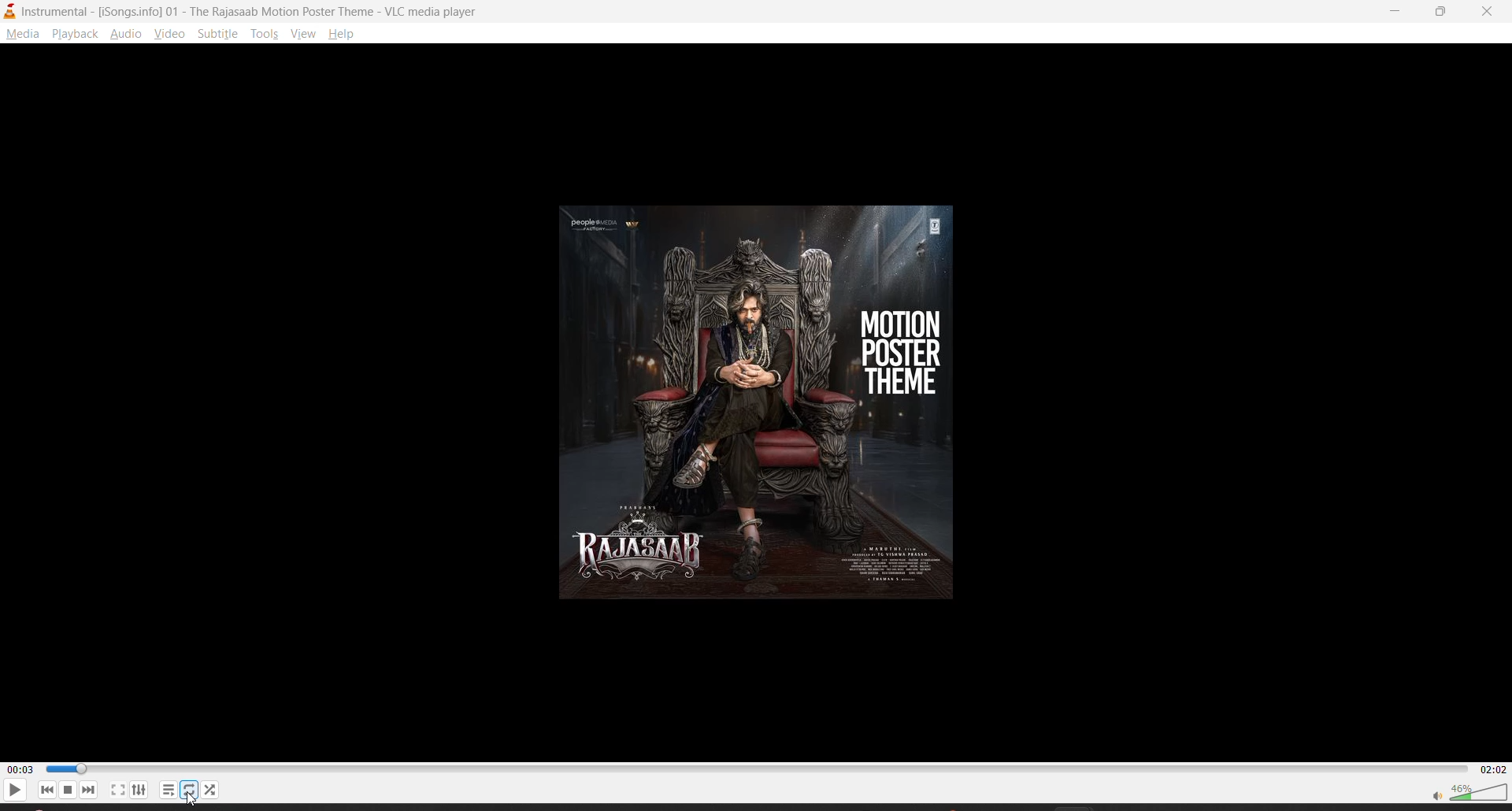 This screenshot has height=811, width=1512. What do you see at coordinates (757, 403) in the screenshot?
I see `motion poster theme thumbnail` at bounding box center [757, 403].